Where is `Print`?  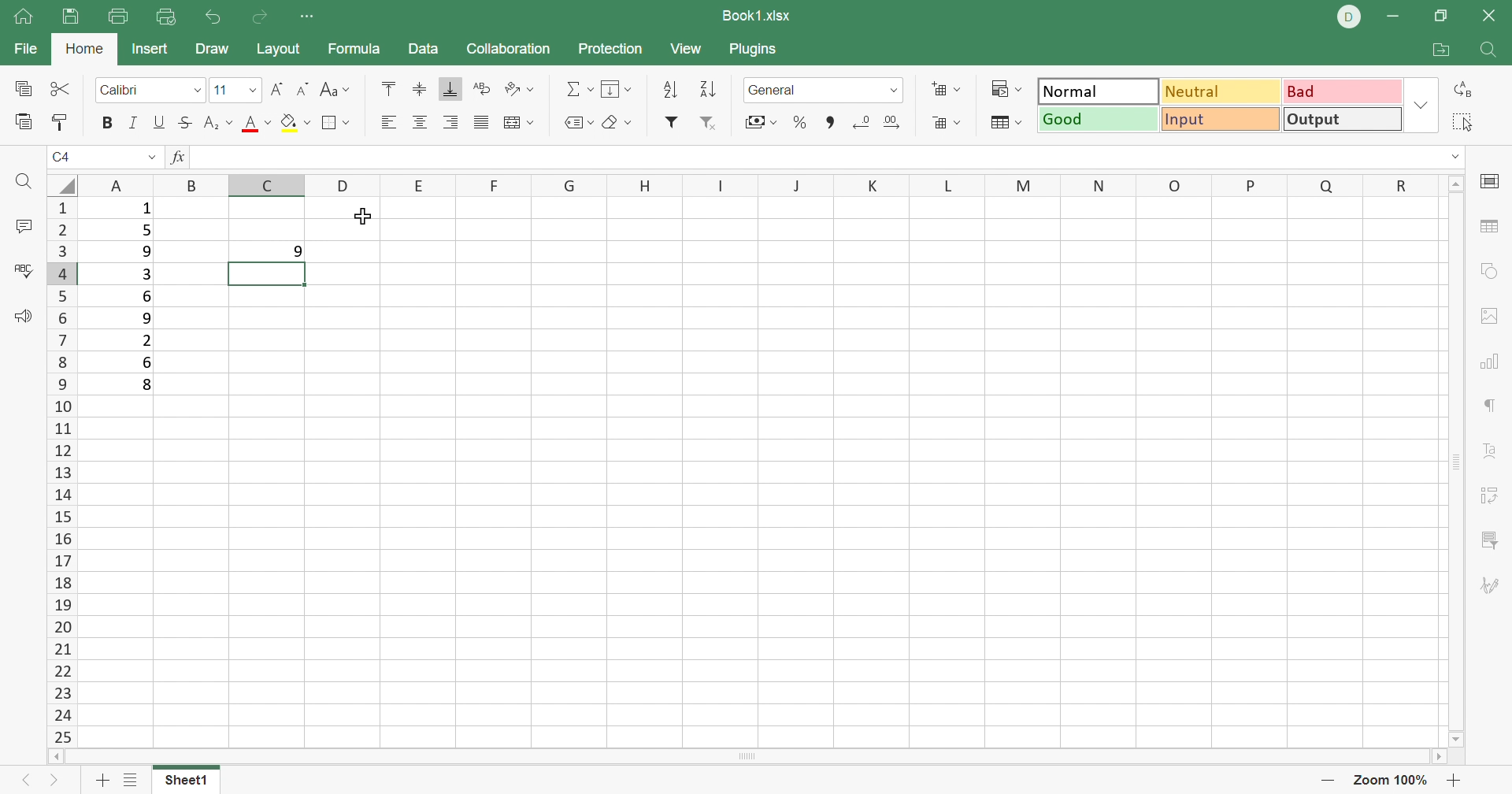 Print is located at coordinates (119, 16).